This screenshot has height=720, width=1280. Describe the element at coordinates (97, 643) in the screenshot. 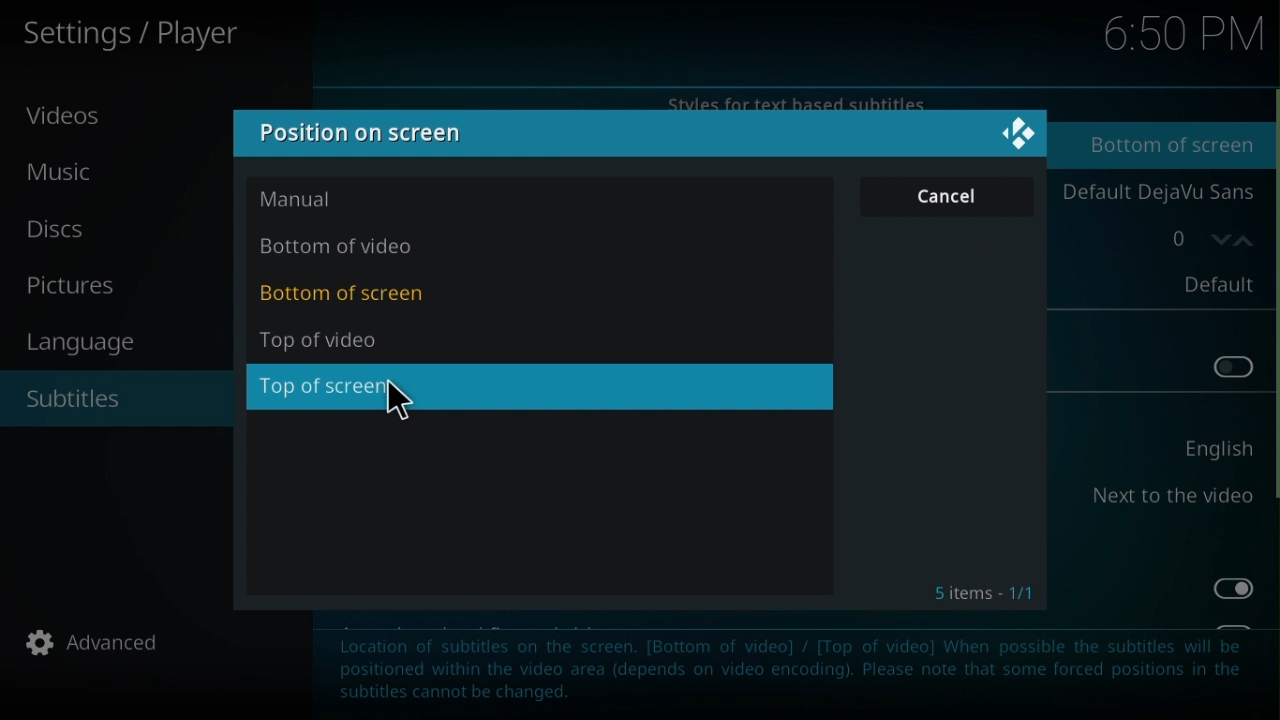

I see `Advanced` at that location.